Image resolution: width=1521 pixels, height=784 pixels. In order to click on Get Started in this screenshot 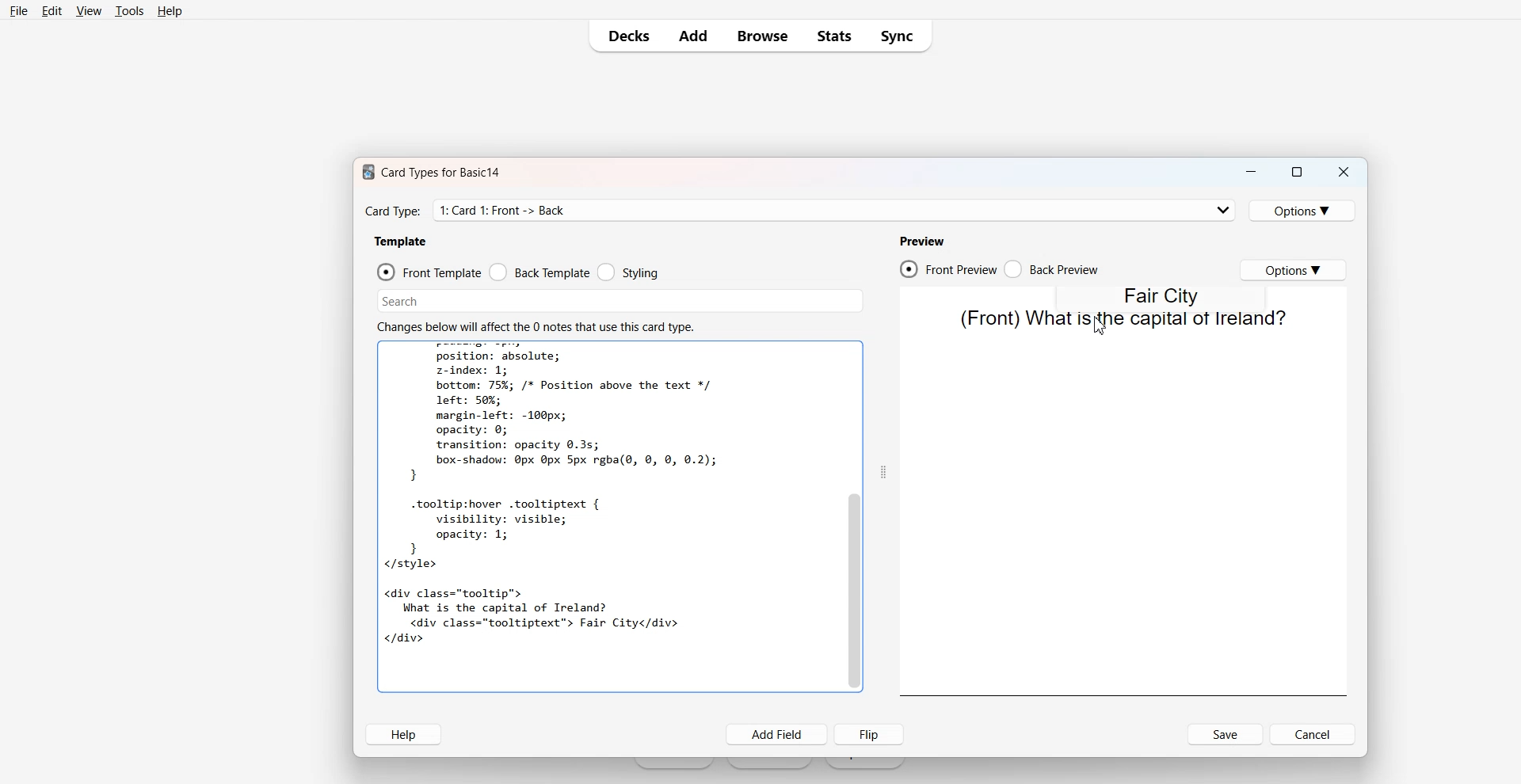, I will do `click(675, 764)`.